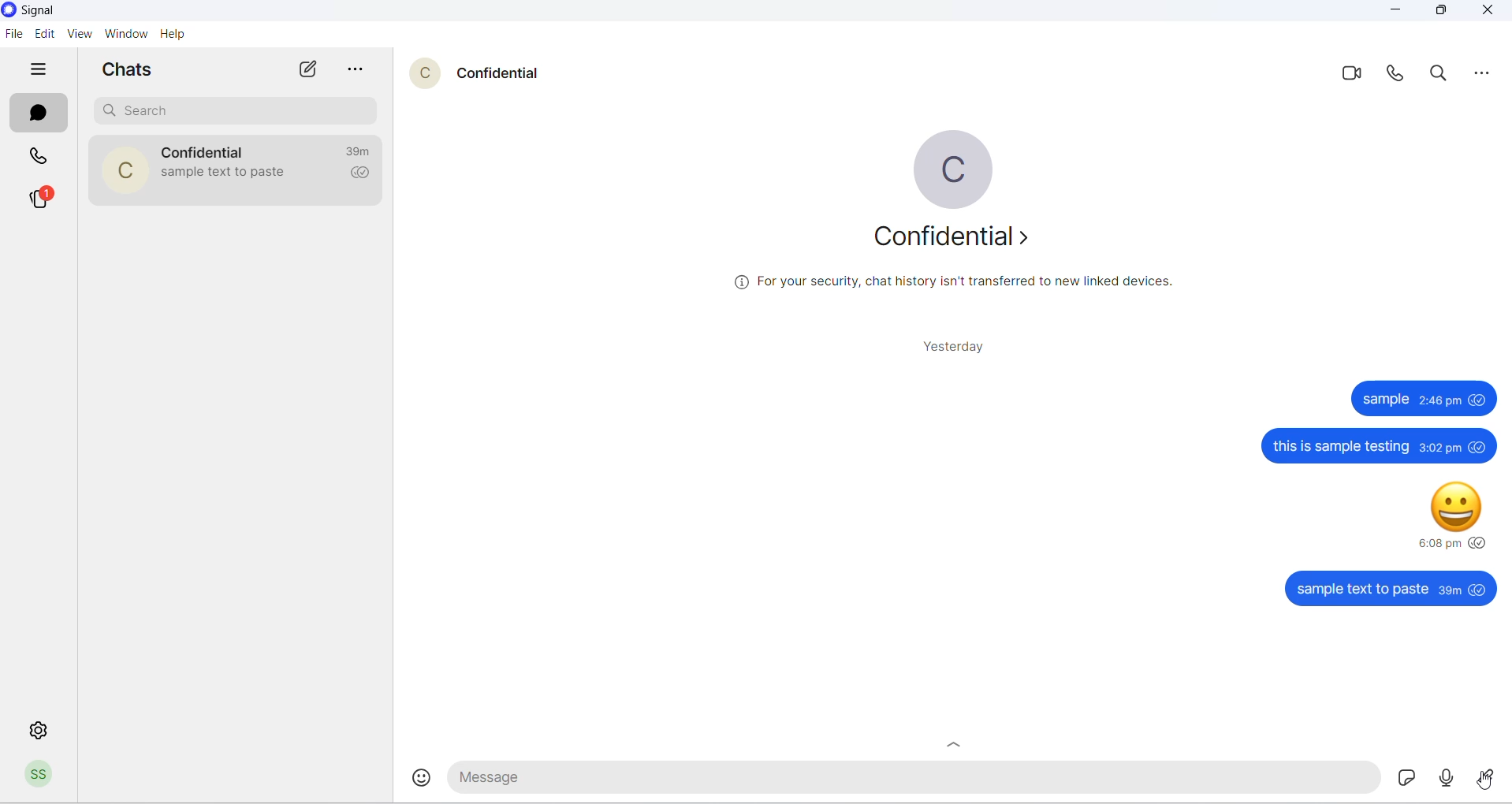 Image resolution: width=1512 pixels, height=804 pixels. I want to click on new chat, so click(311, 70).